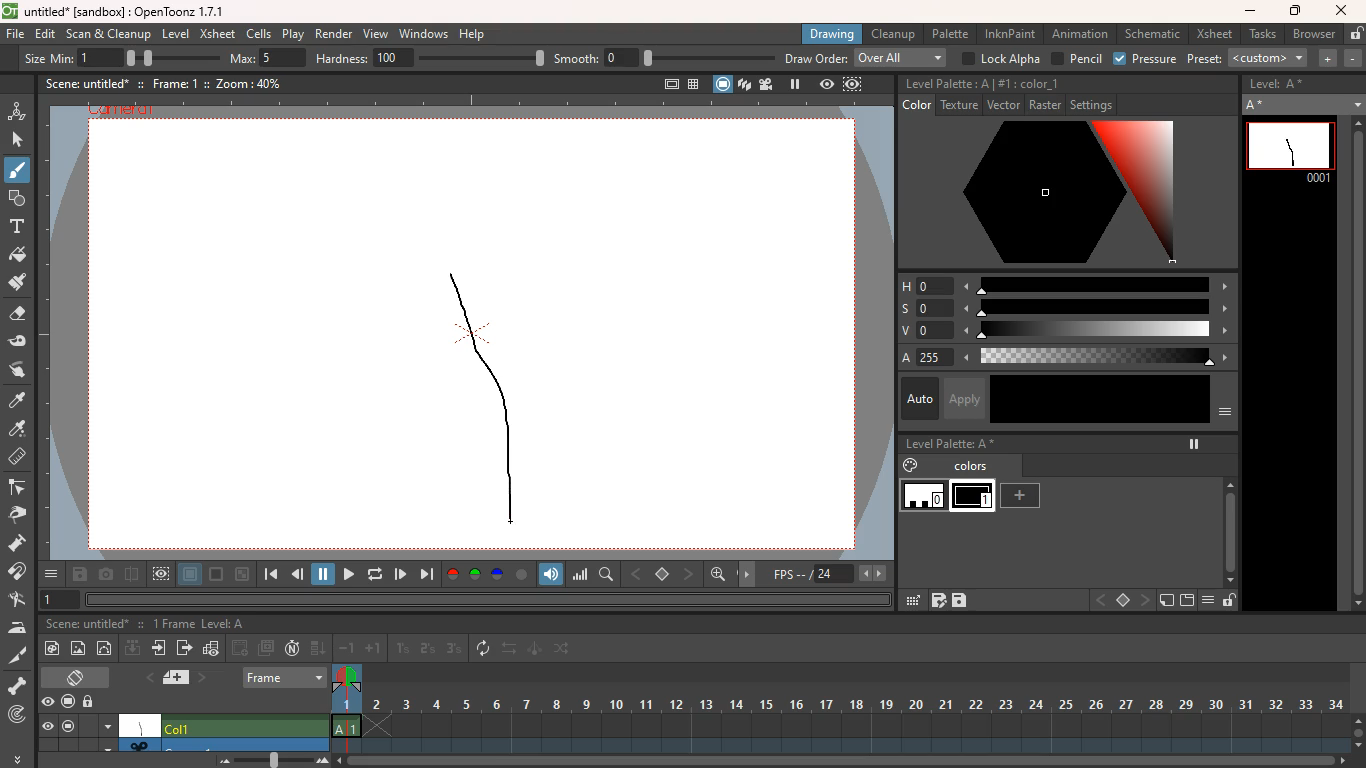  I want to click on swap, so click(19, 369).